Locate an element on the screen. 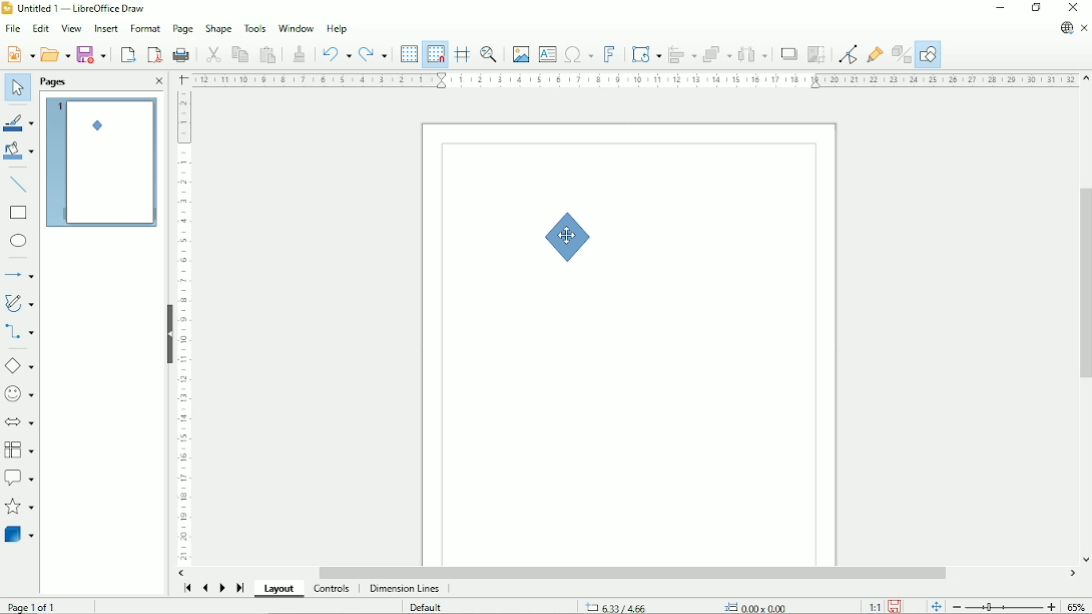  Insert image is located at coordinates (520, 54).